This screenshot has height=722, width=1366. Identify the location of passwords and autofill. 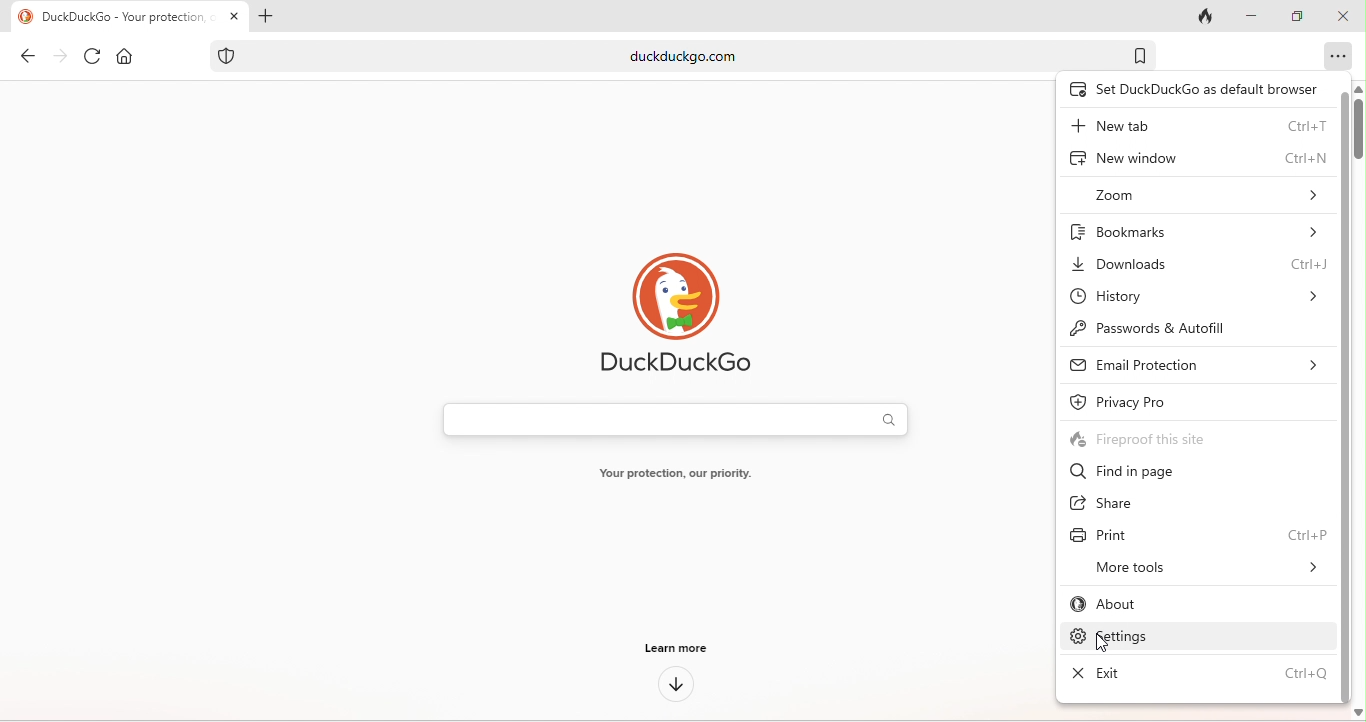
(1153, 330).